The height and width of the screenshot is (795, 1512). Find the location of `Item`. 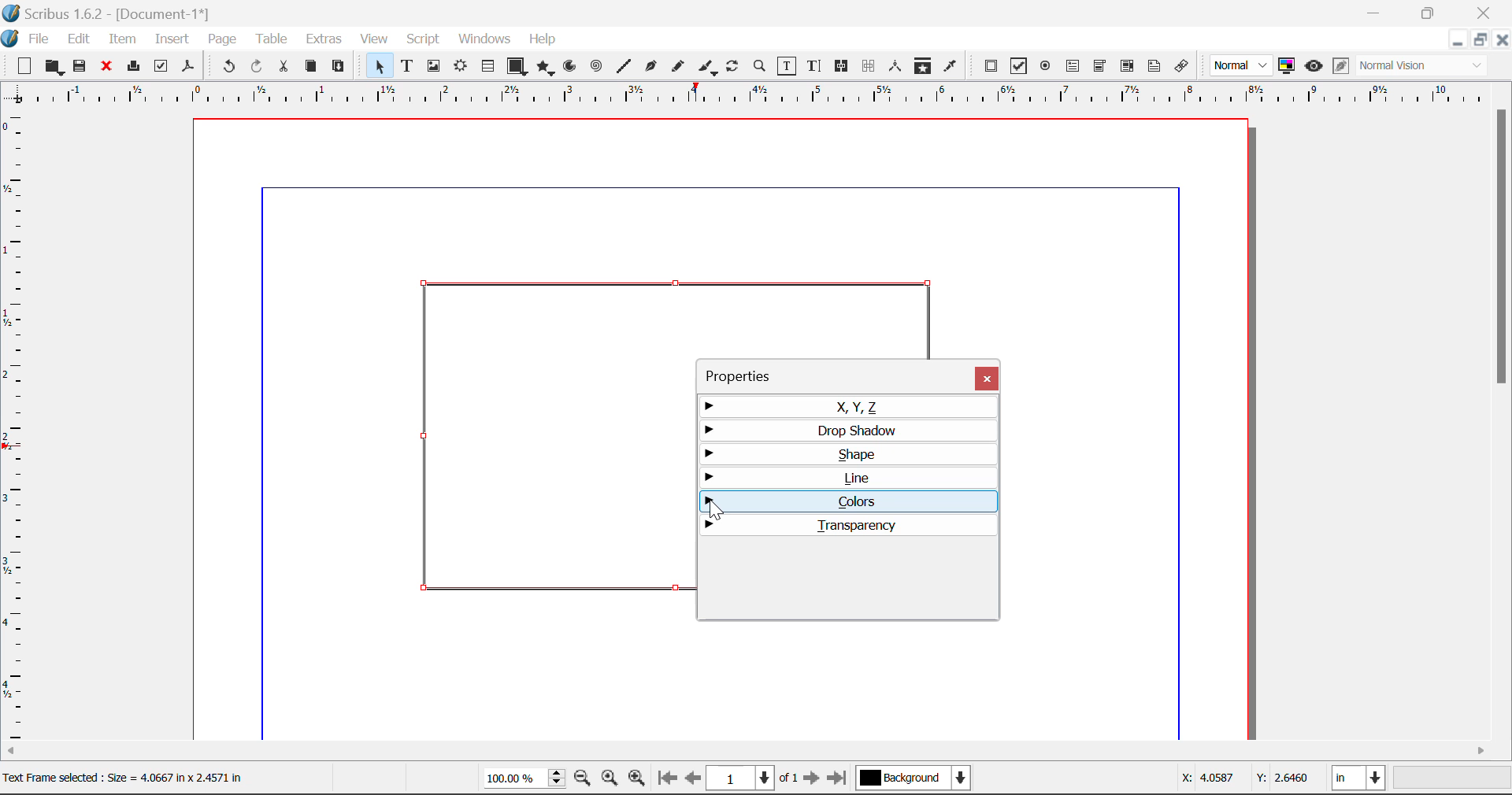

Item is located at coordinates (120, 37).